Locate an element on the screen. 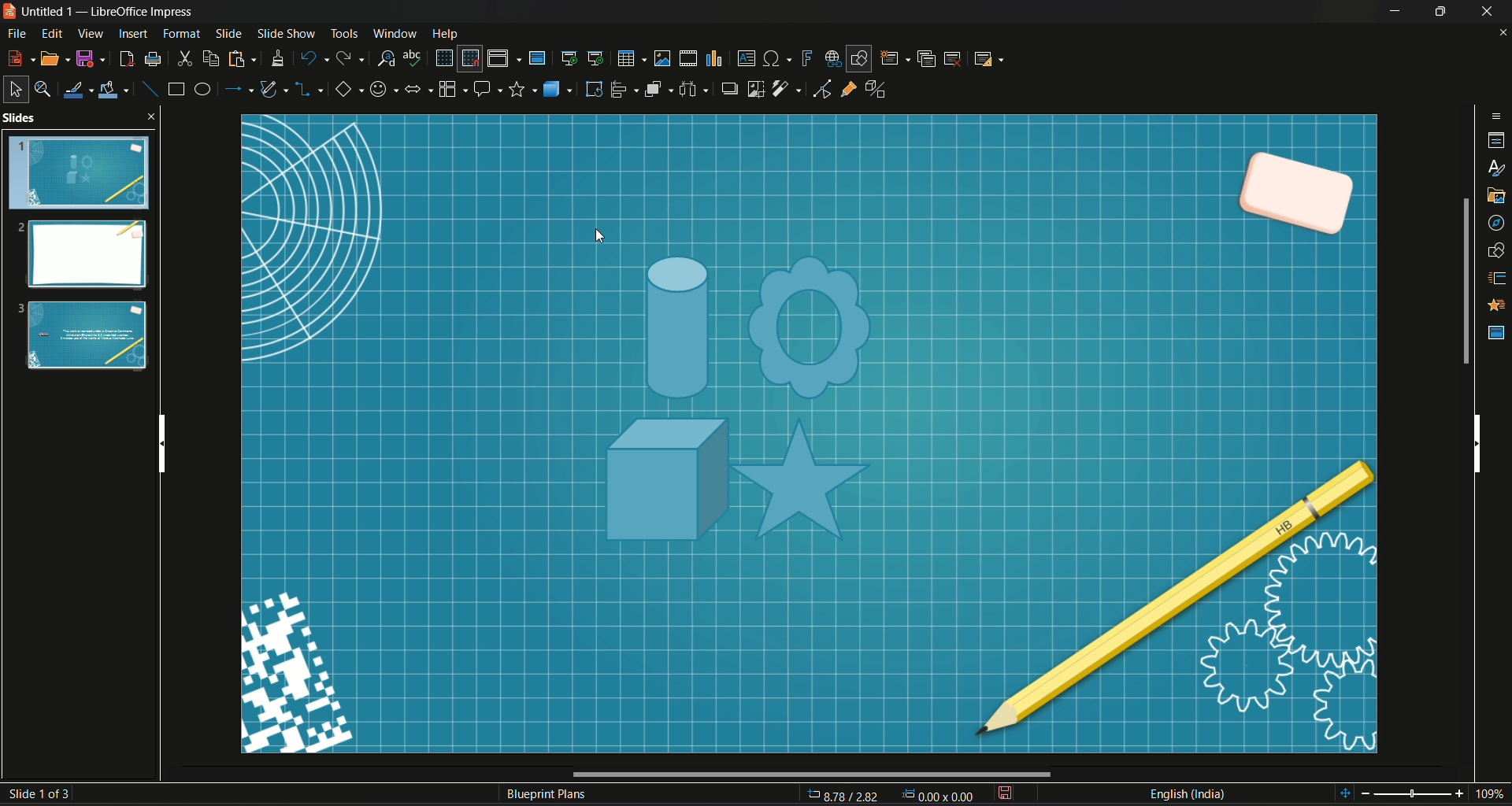 The height and width of the screenshot is (806, 1512). Vertical scroll bar is located at coordinates (1477, 441).